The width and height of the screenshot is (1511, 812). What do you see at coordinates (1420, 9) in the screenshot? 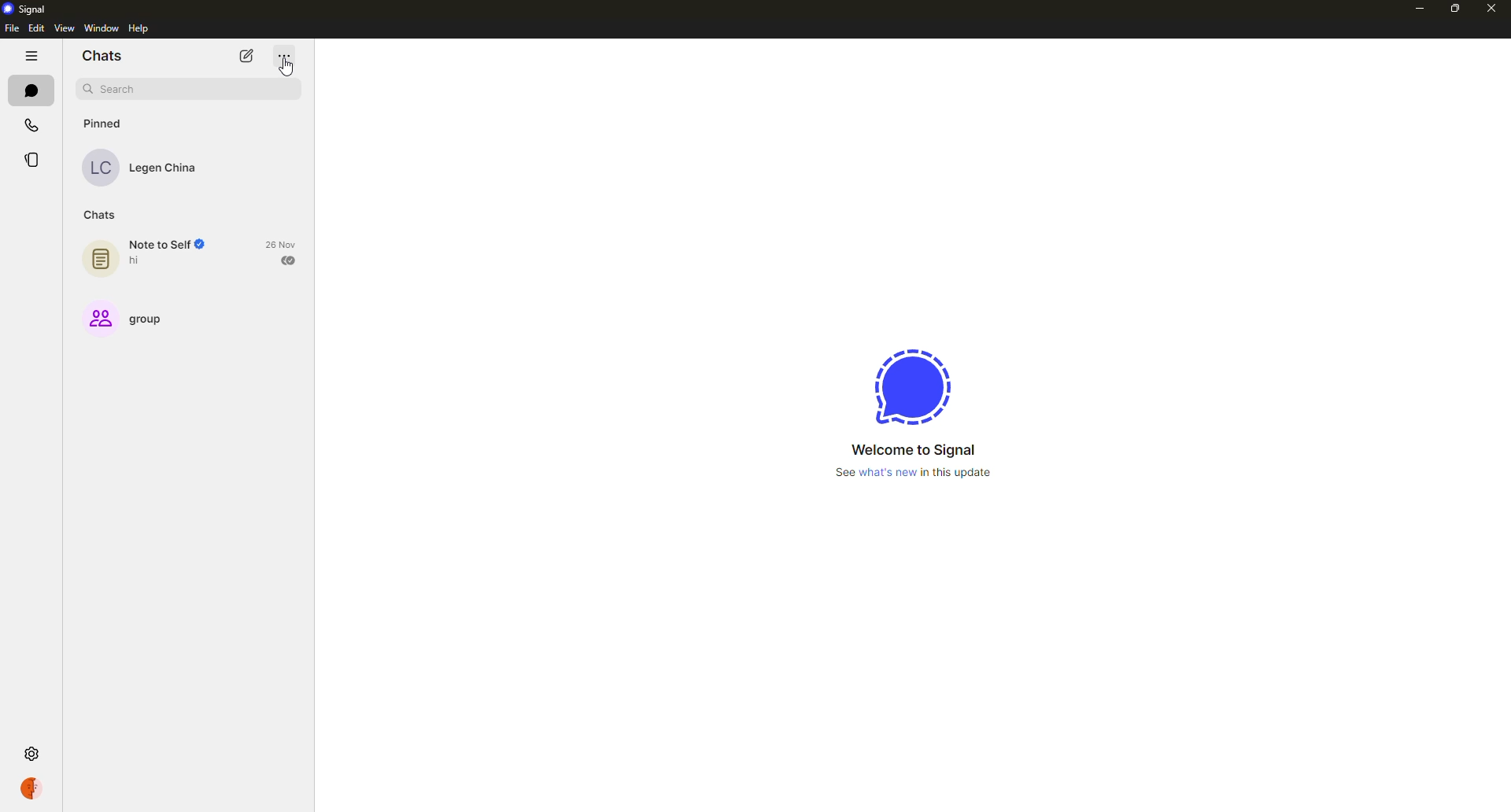
I see `minimize` at bounding box center [1420, 9].